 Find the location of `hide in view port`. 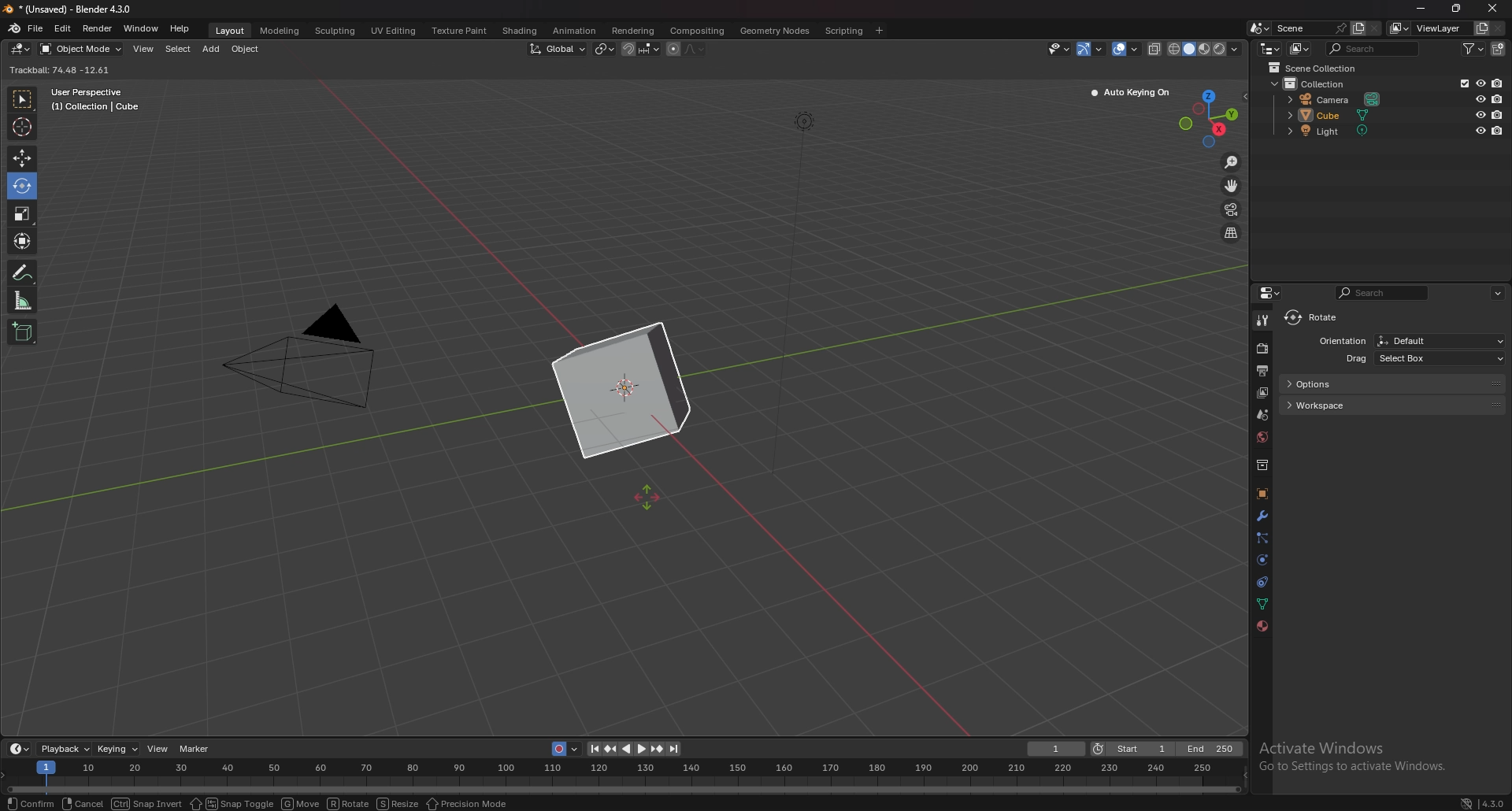

hide in view port is located at coordinates (1480, 130).